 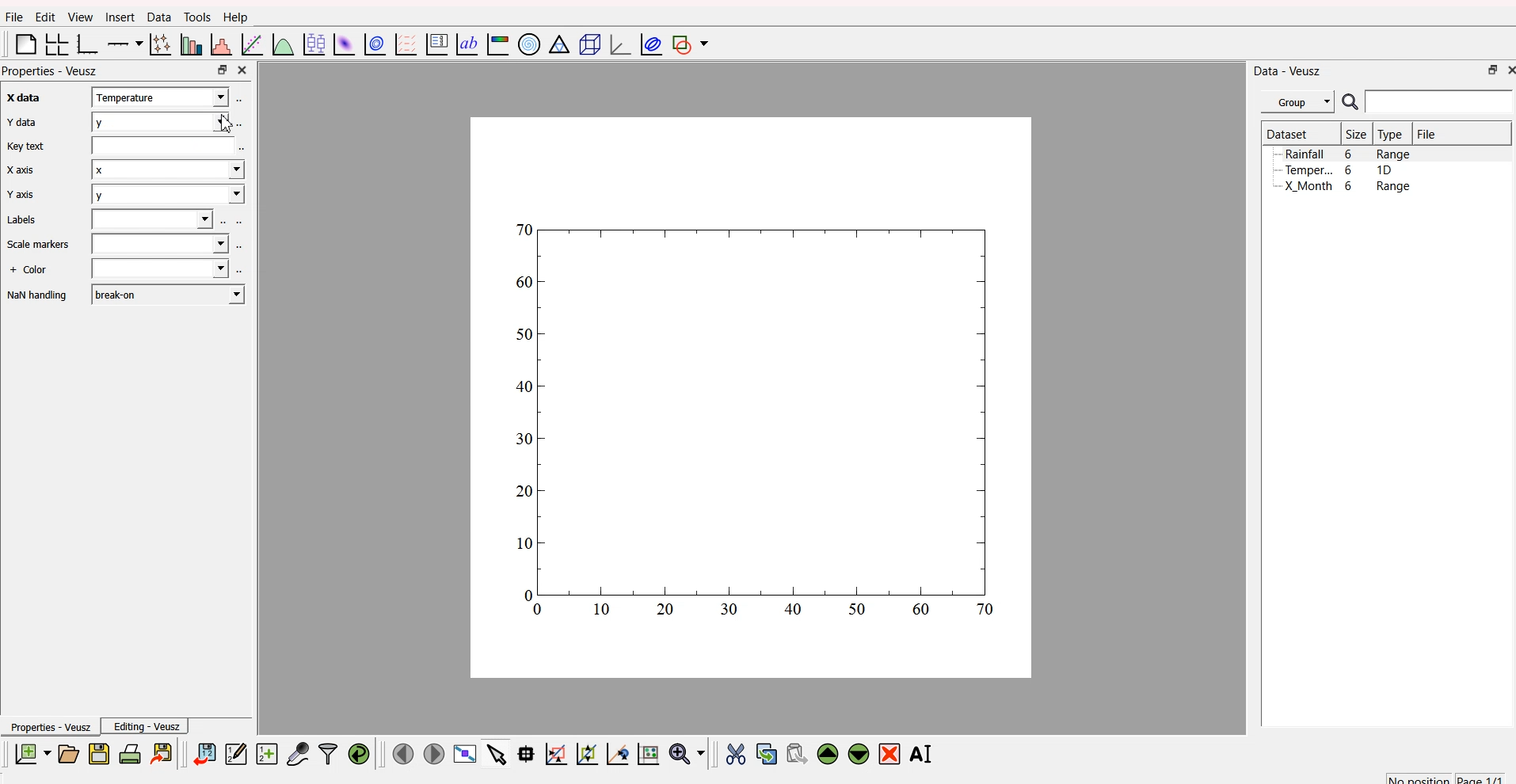 I want to click on text label, so click(x=465, y=45).